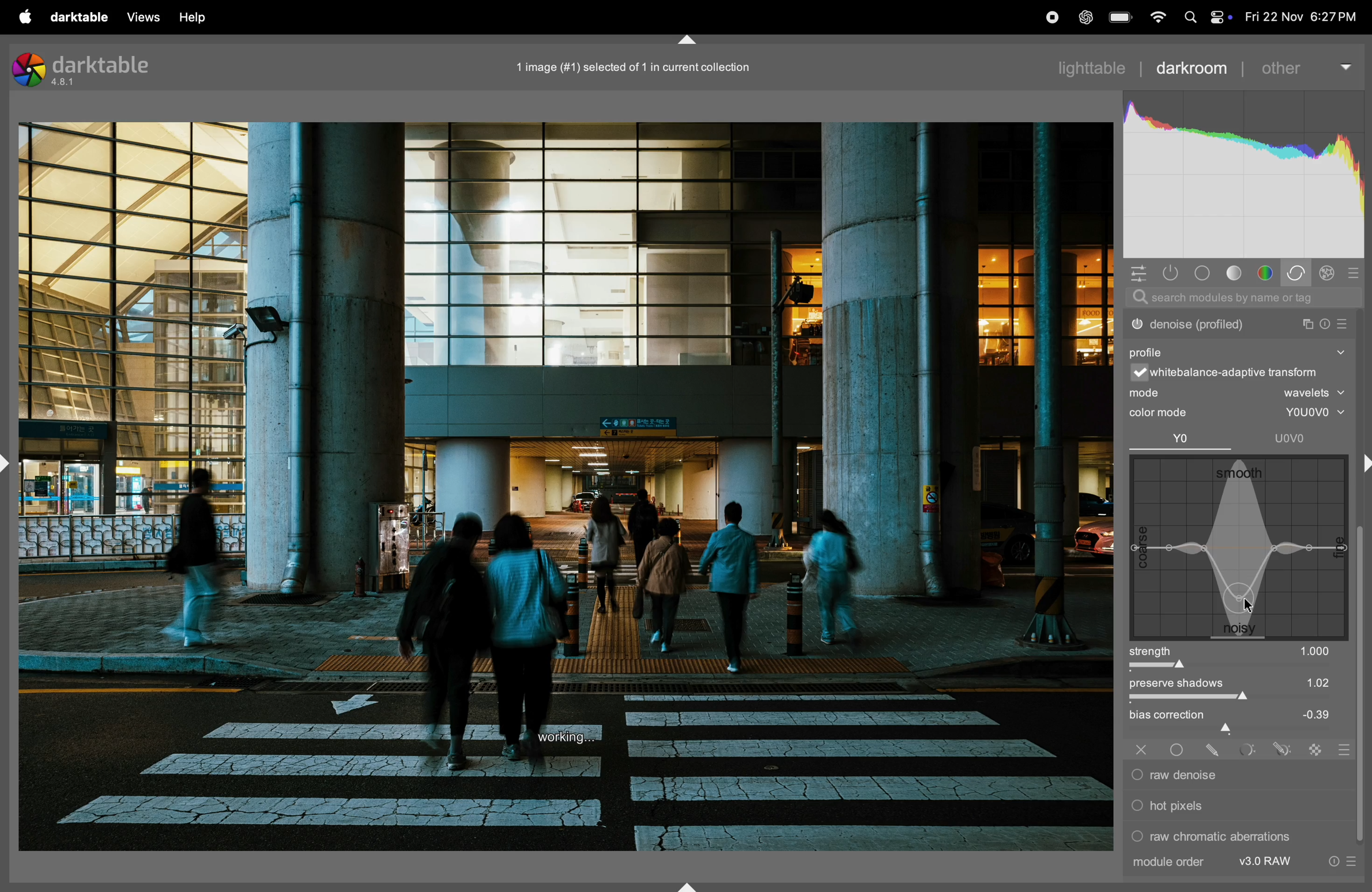  What do you see at coordinates (1120, 18) in the screenshot?
I see `battery` at bounding box center [1120, 18].